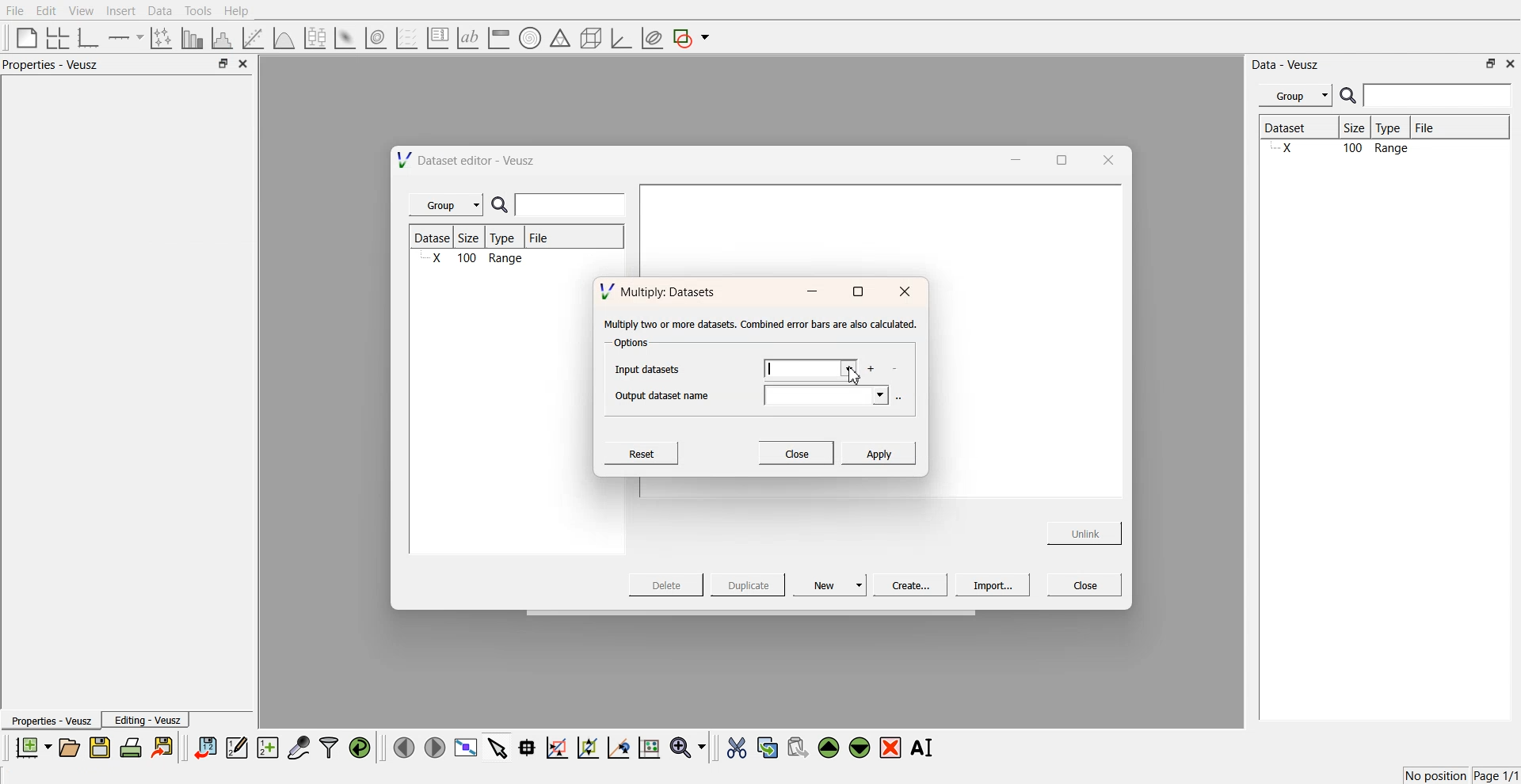 The width and height of the screenshot is (1521, 784). Describe the element at coordinates (468, 160) in the screenshot. I see `Dataset editor - Veusz` at that location.